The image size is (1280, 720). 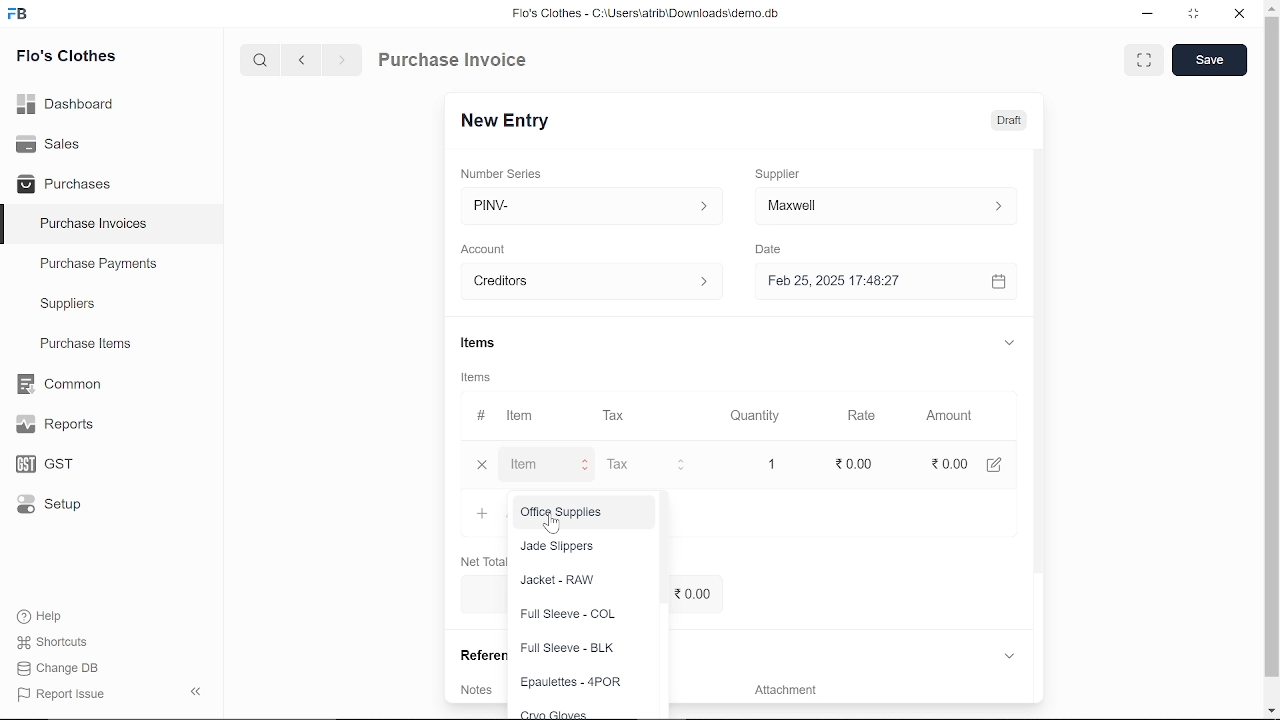 What do you see at coordinates (867, 415) in the screenshot?
I see `Rate` at bounding box center [867, 415].